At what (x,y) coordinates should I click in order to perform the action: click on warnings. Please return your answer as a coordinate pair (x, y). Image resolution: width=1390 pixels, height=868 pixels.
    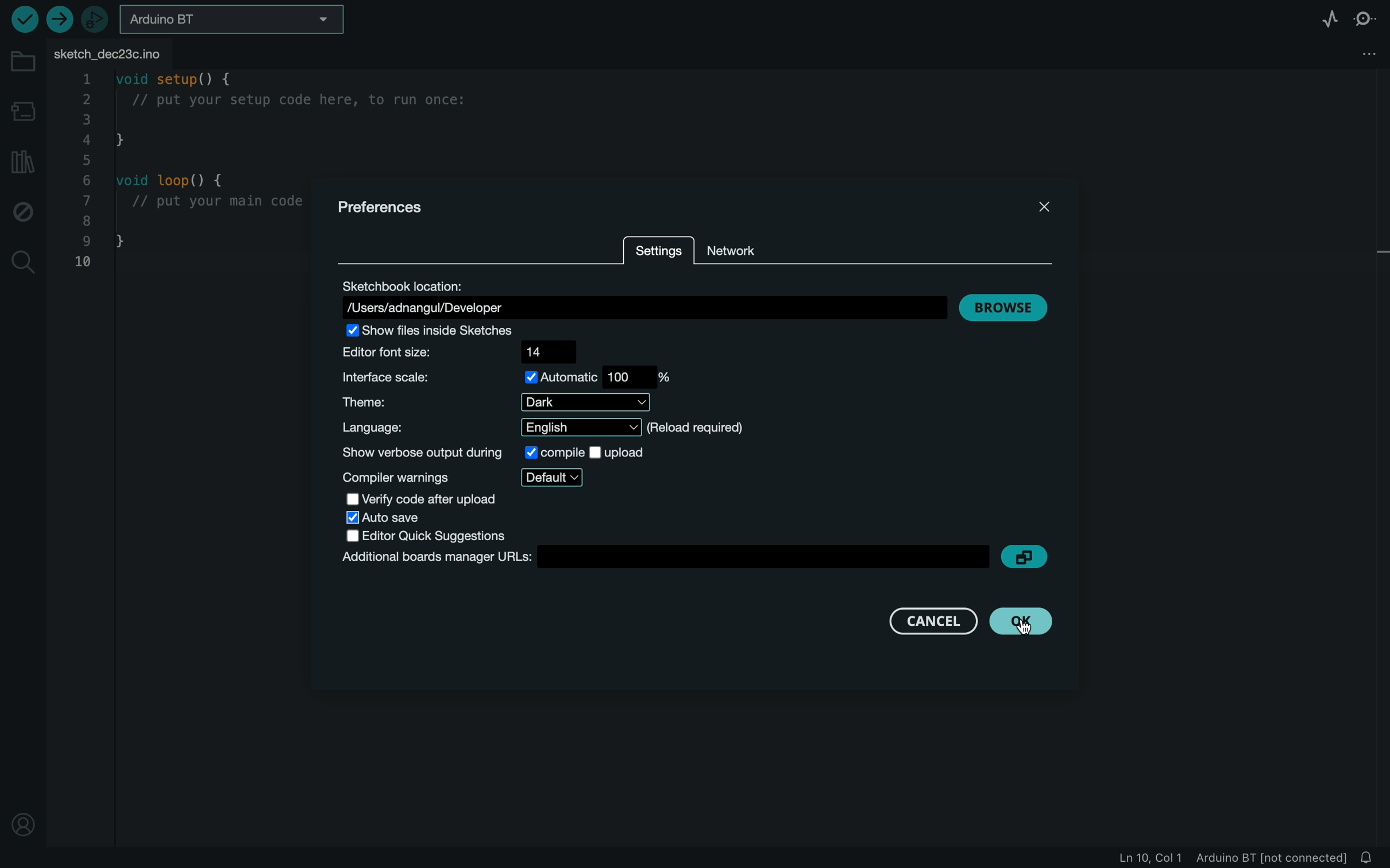
    Looking at the image, I should click on (464, 476).